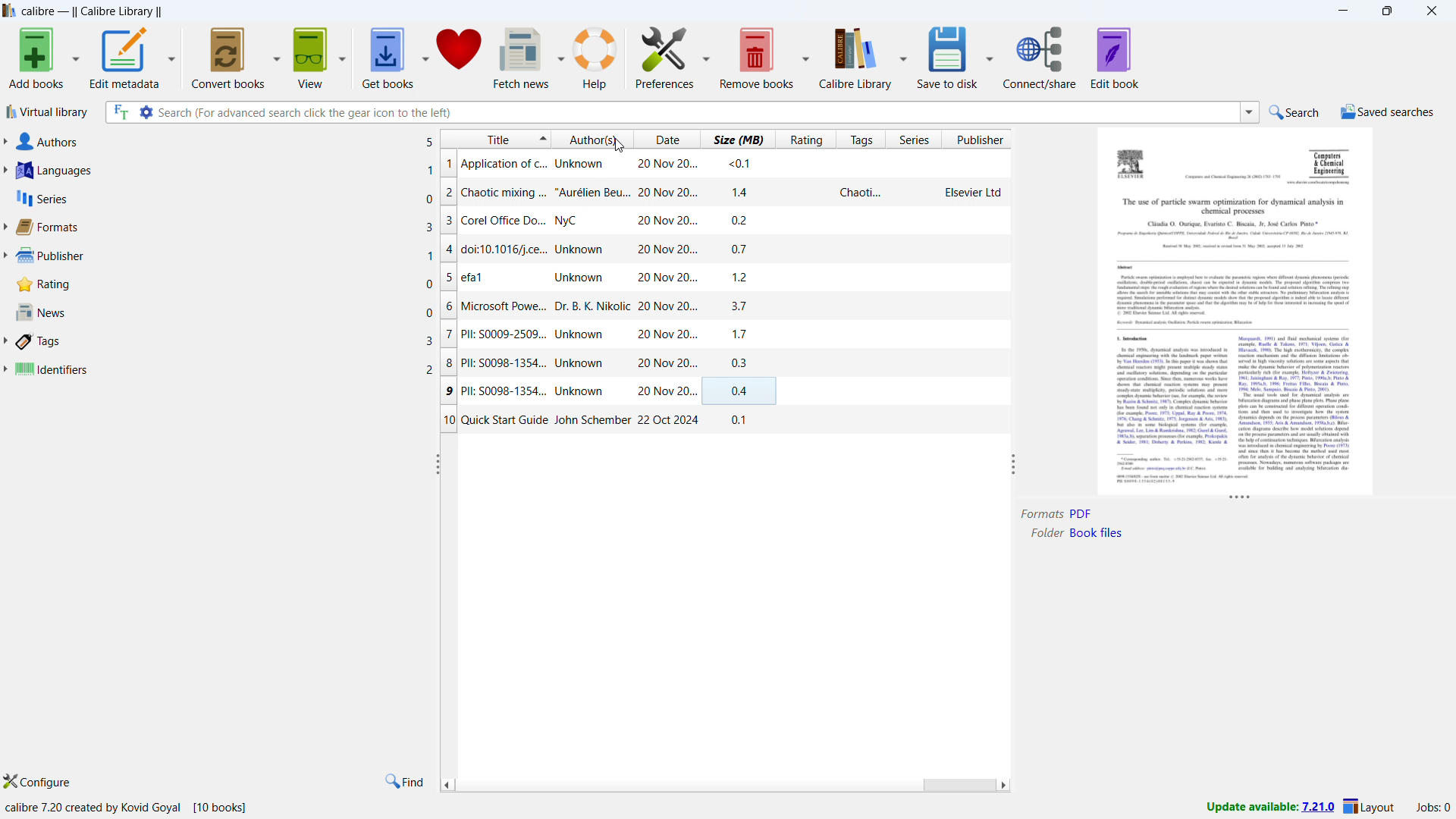  What do you see at coordinates (1181, 480) in the screenshot?
I see `` at bounding box center [1181, 480].